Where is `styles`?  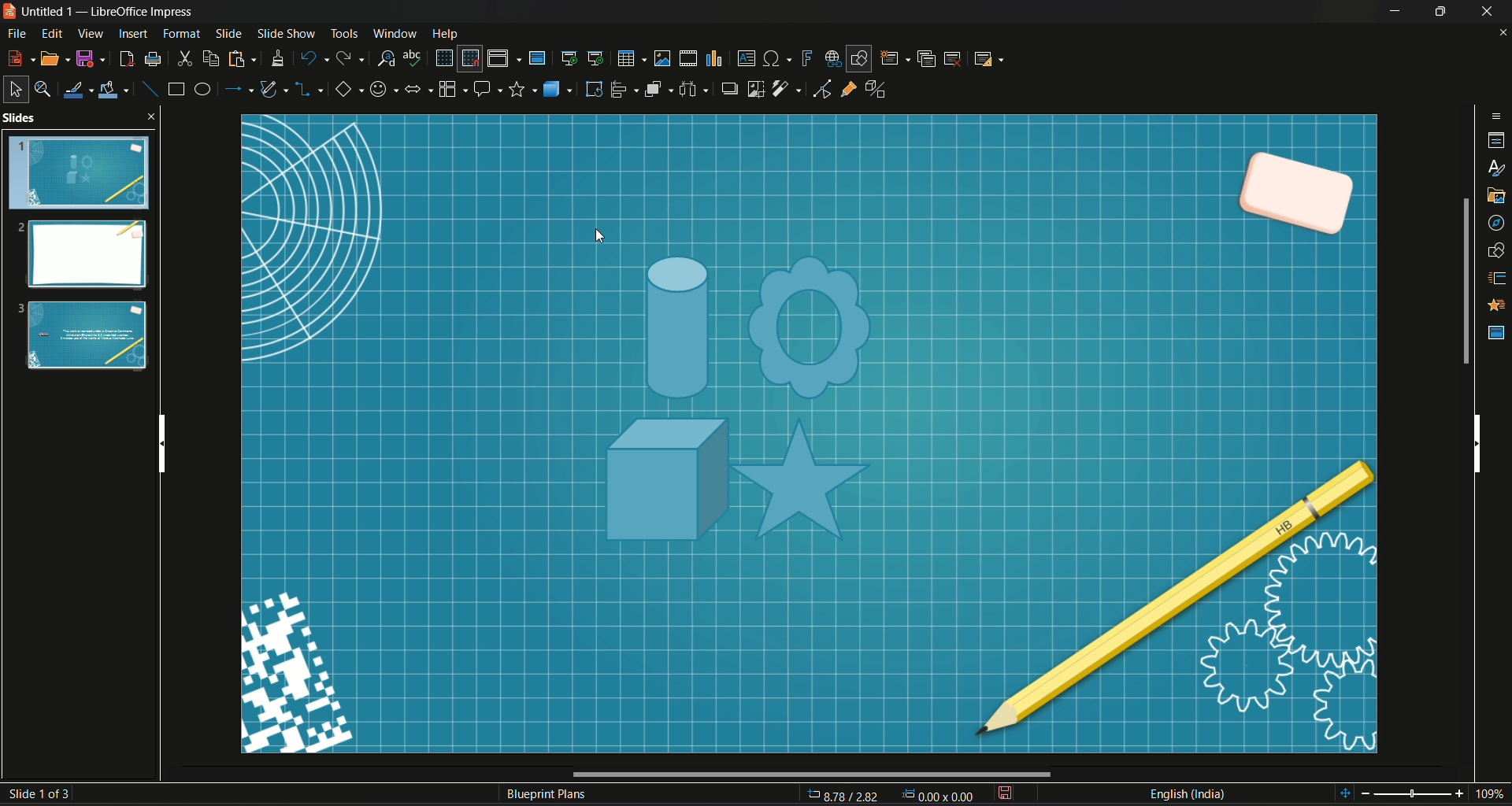
styles is located at coordinates (1498, 170).